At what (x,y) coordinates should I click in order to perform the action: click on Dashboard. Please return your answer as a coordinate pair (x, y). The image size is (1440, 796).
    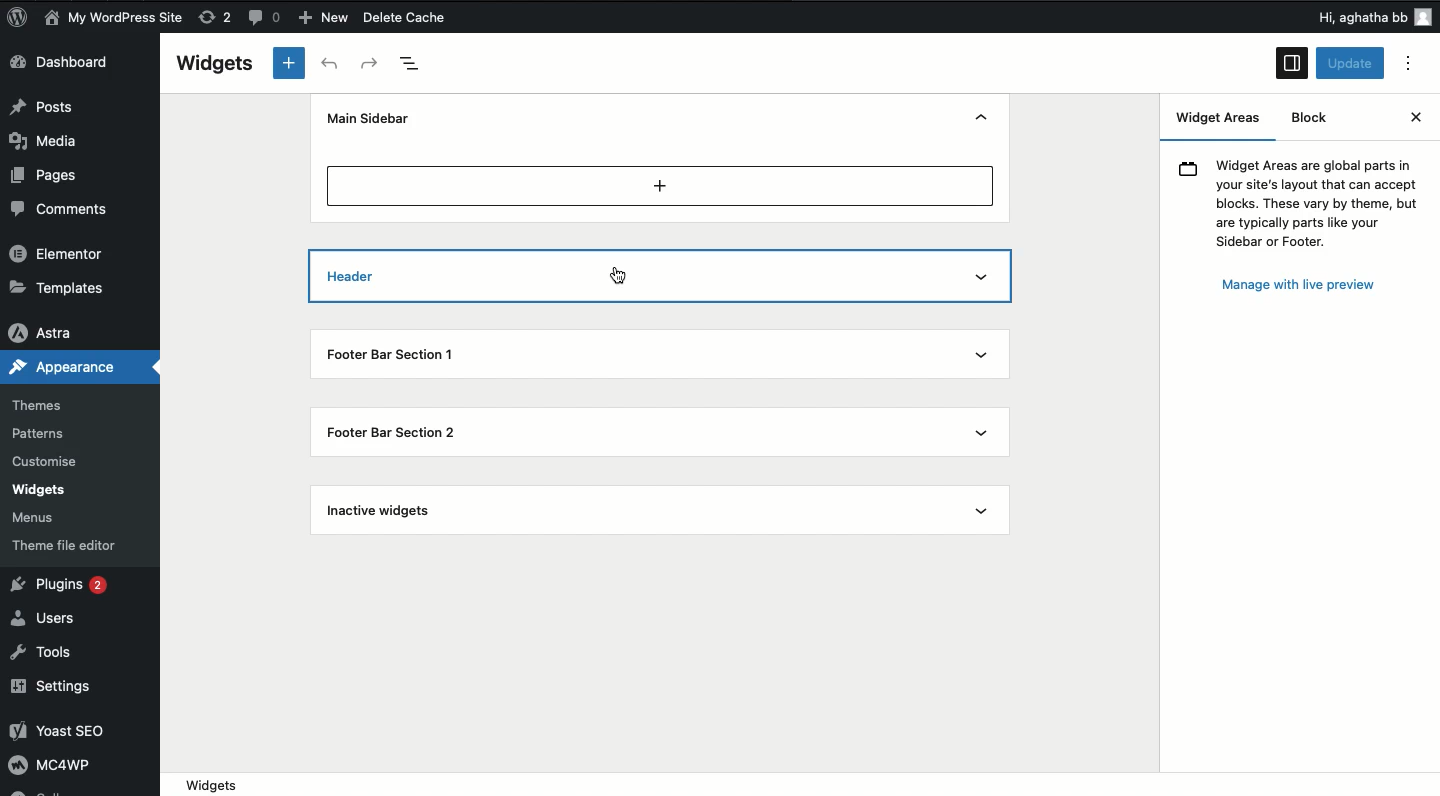
    Looking at the image, I should click on (74, 64).